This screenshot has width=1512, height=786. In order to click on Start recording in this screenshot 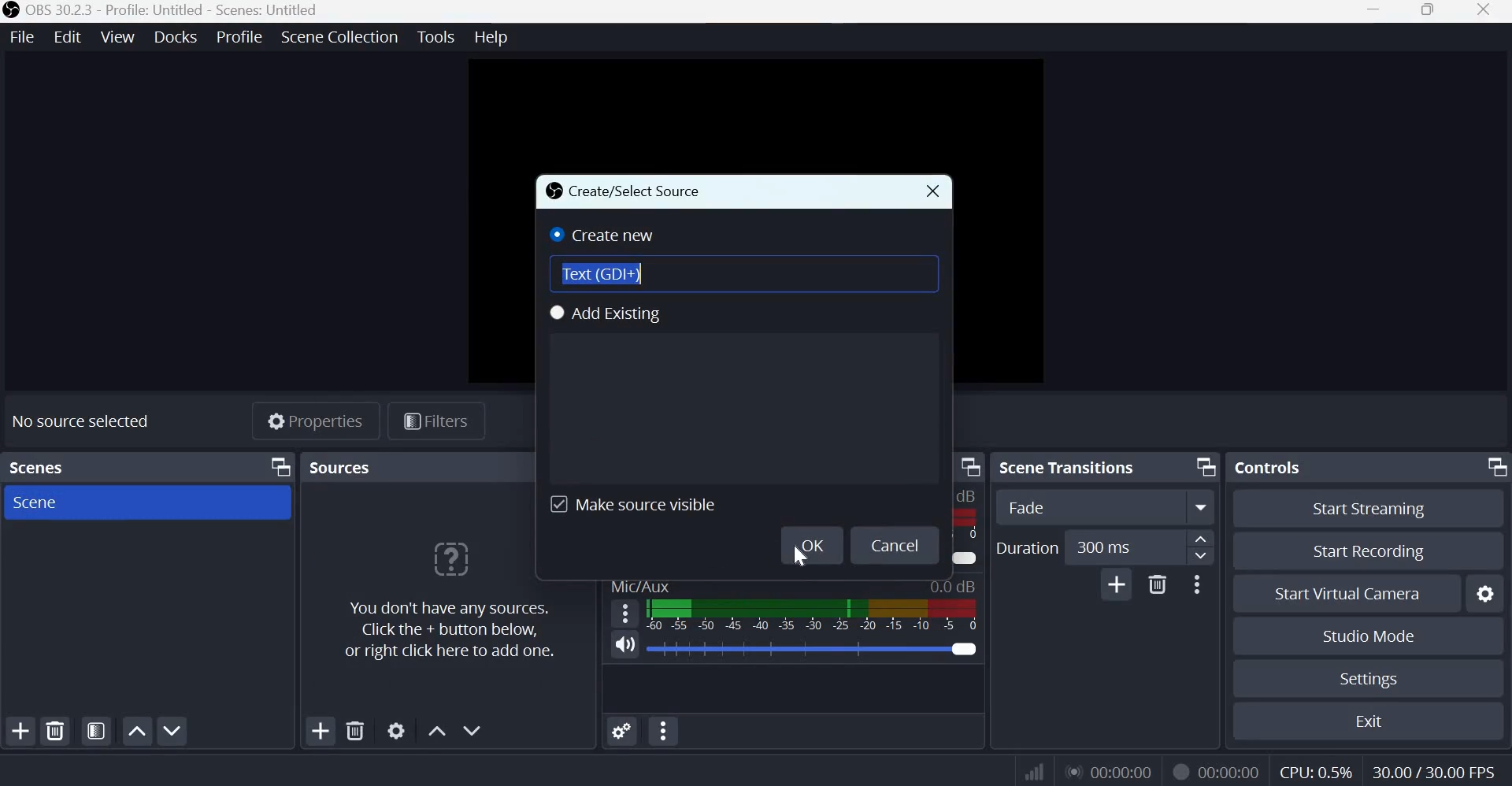, I will do `click(1364, 552)`.